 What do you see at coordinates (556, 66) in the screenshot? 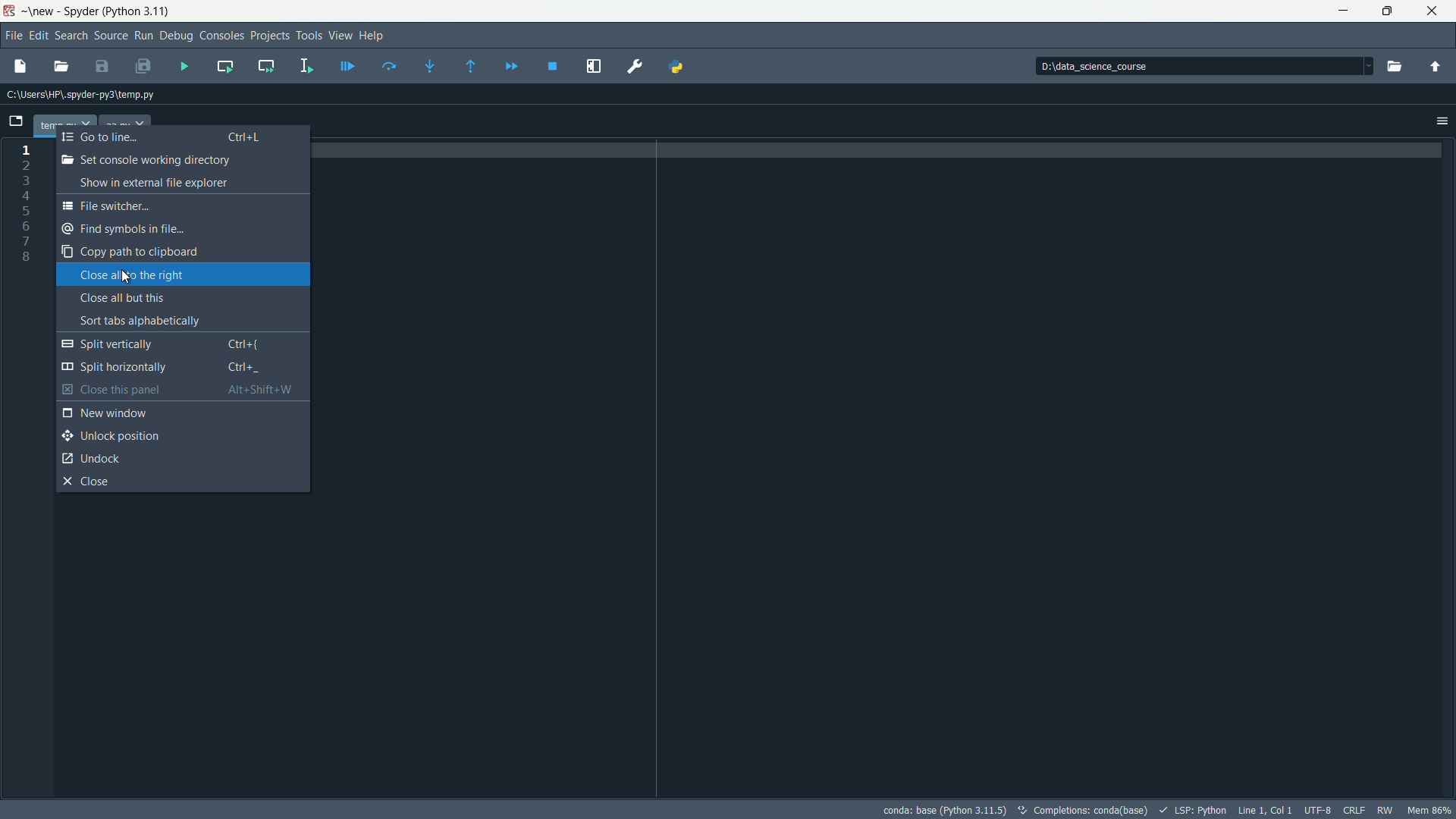
I see `stop debugging` at bounding box center [556, 66].